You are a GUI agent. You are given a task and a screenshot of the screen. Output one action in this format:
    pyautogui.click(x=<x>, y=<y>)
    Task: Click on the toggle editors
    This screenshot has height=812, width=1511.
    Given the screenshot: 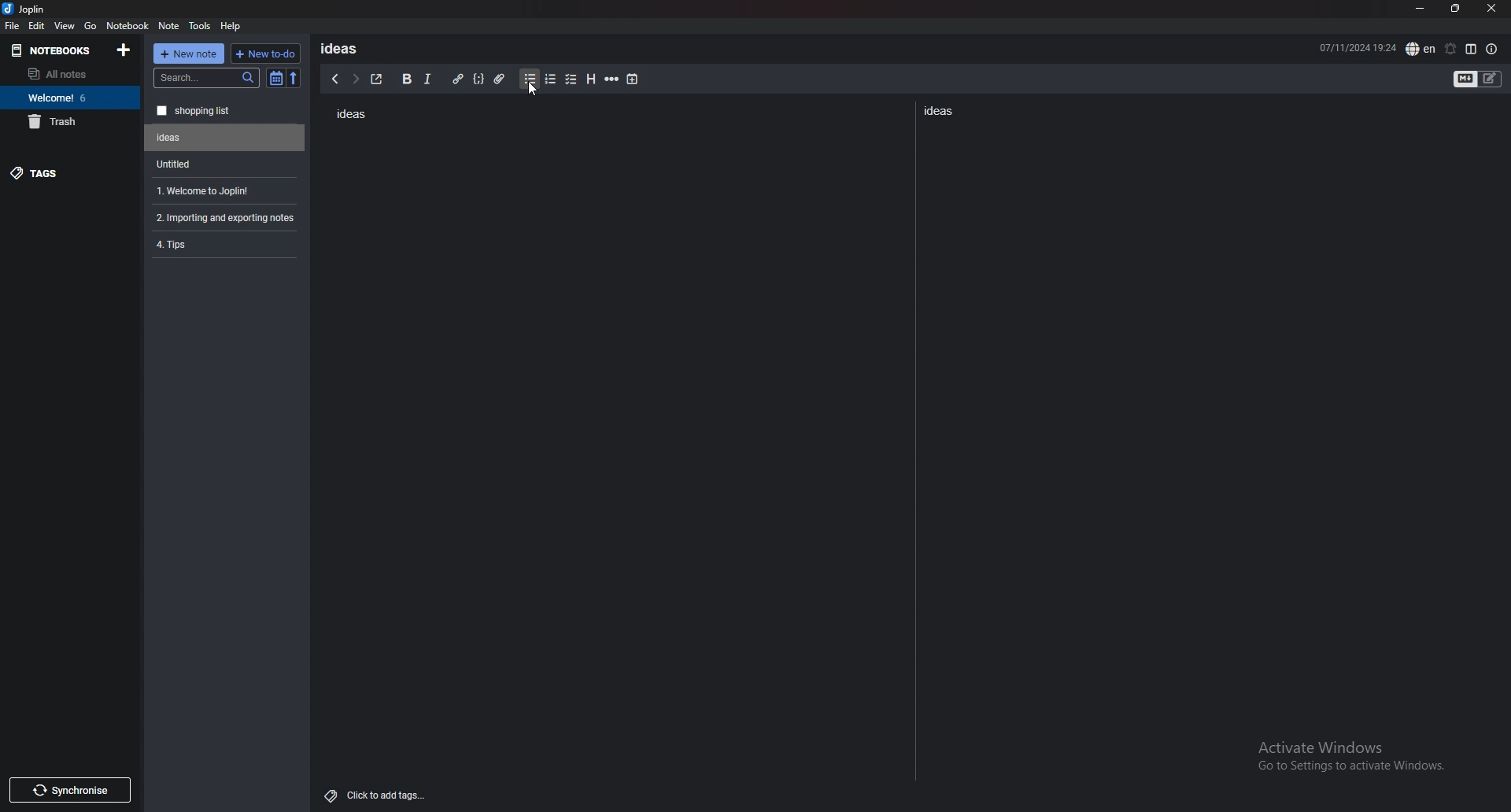 What is the action you would take?
    pyautogui.click(x=1478, y=80)
    